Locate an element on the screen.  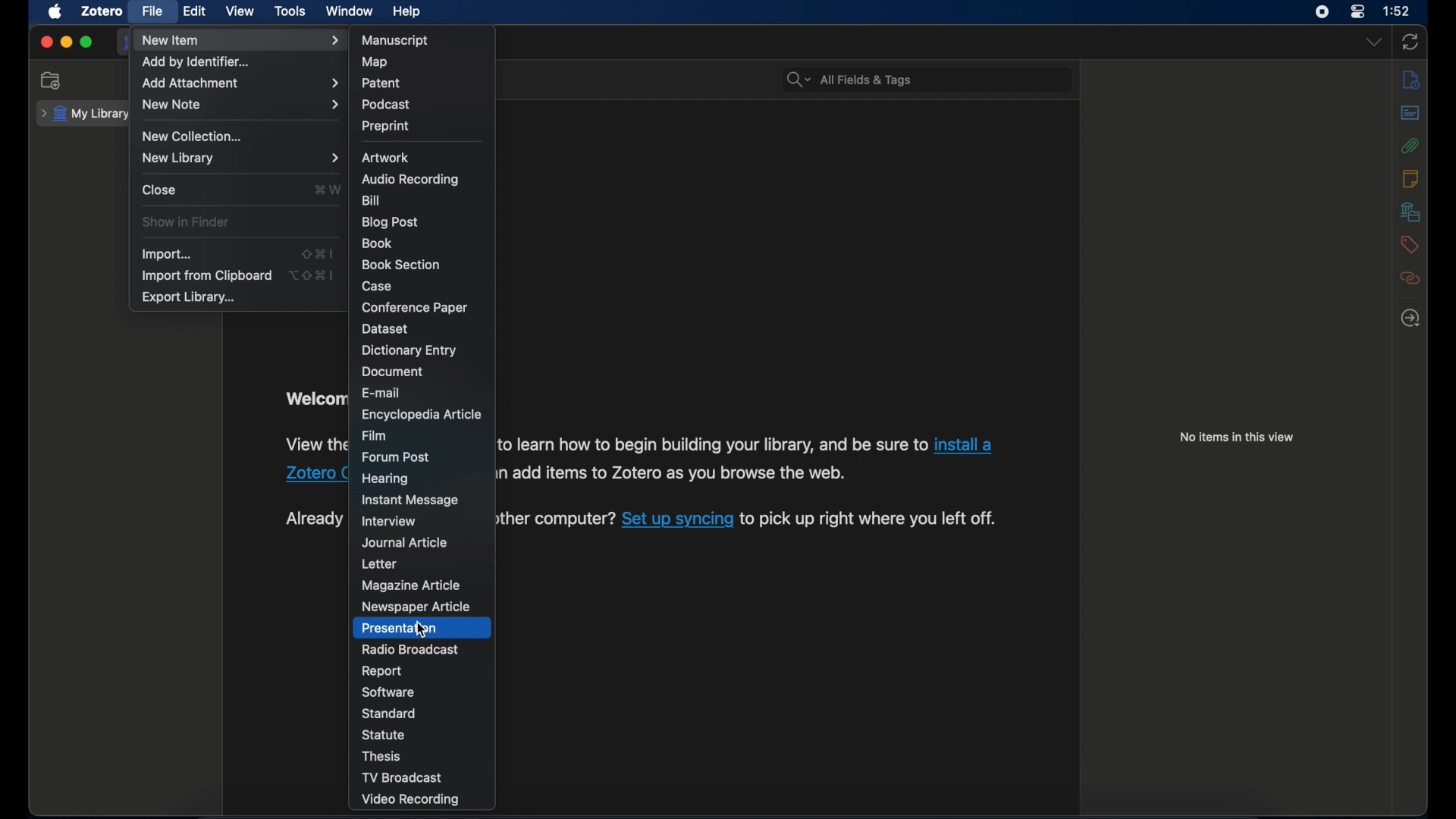
forum post is located at coordinates (397, 457).